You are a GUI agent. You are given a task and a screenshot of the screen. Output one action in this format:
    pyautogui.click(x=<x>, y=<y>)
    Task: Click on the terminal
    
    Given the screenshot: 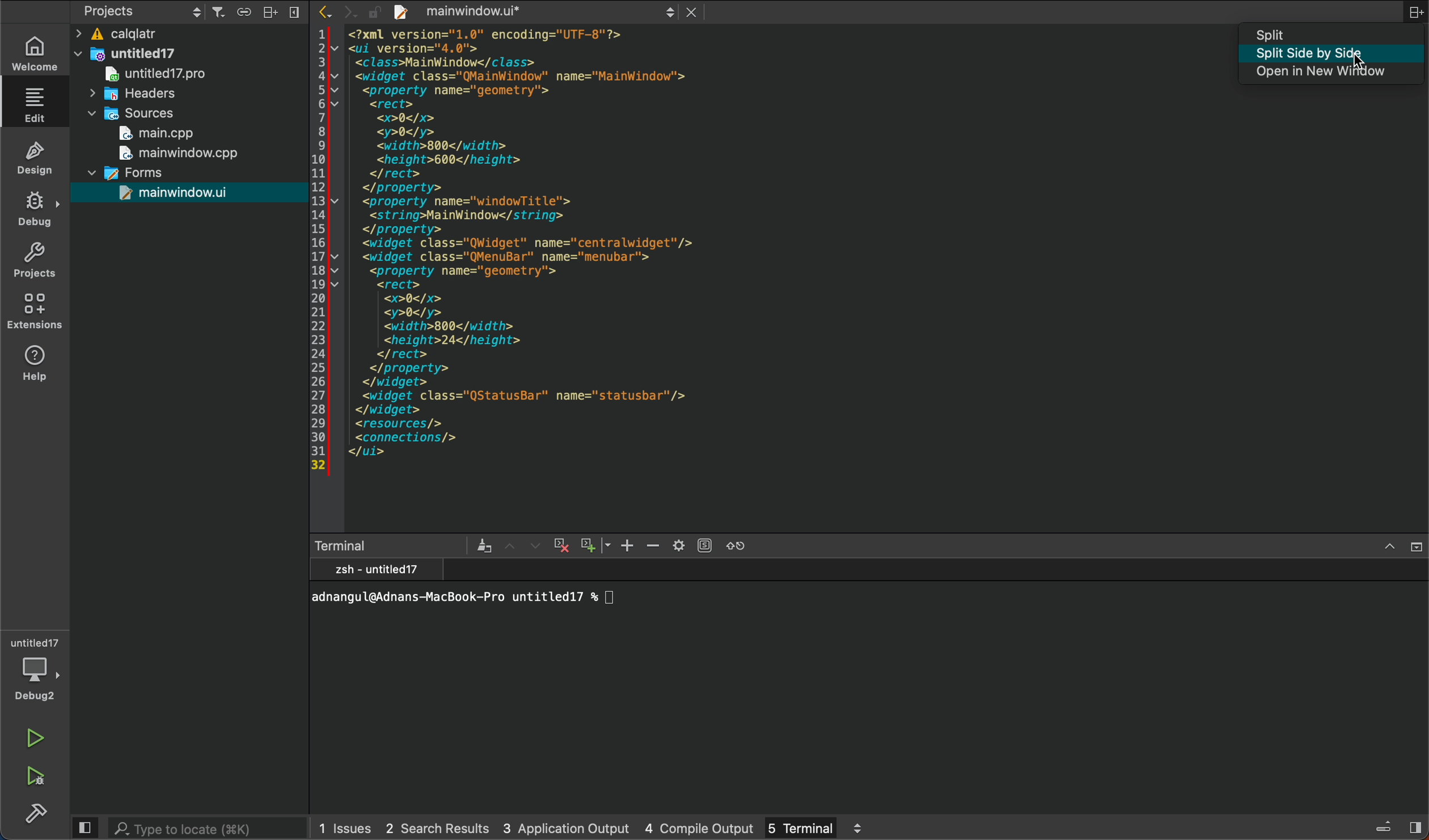 What is the action you would take?
    pyautogui.click(x=813, y=826)
    